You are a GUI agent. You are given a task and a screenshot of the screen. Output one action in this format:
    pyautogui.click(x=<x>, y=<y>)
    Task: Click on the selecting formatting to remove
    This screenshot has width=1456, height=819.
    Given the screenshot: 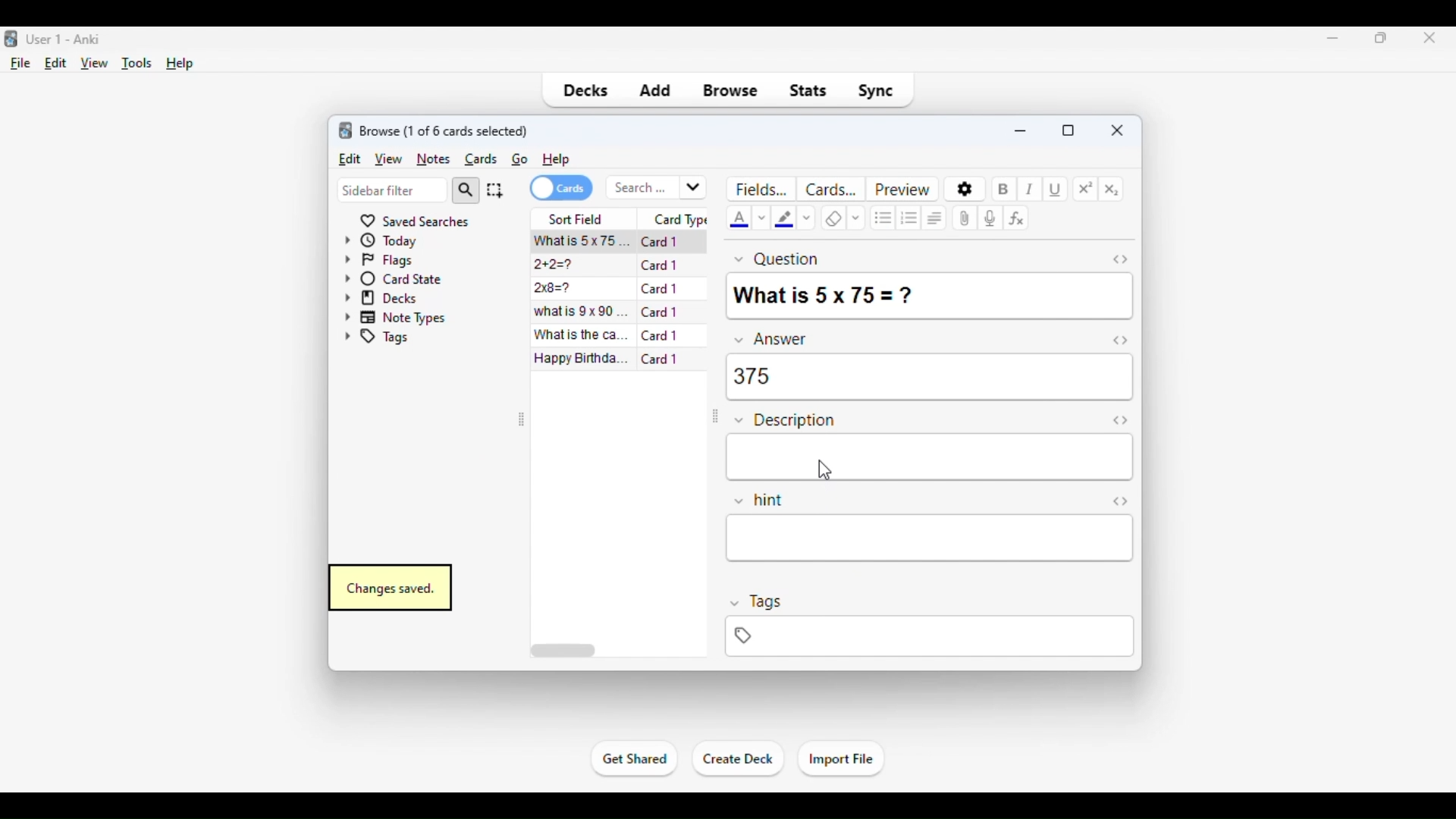 What is the action you would take?
    pyautogui.click(x=856, y=219)
    